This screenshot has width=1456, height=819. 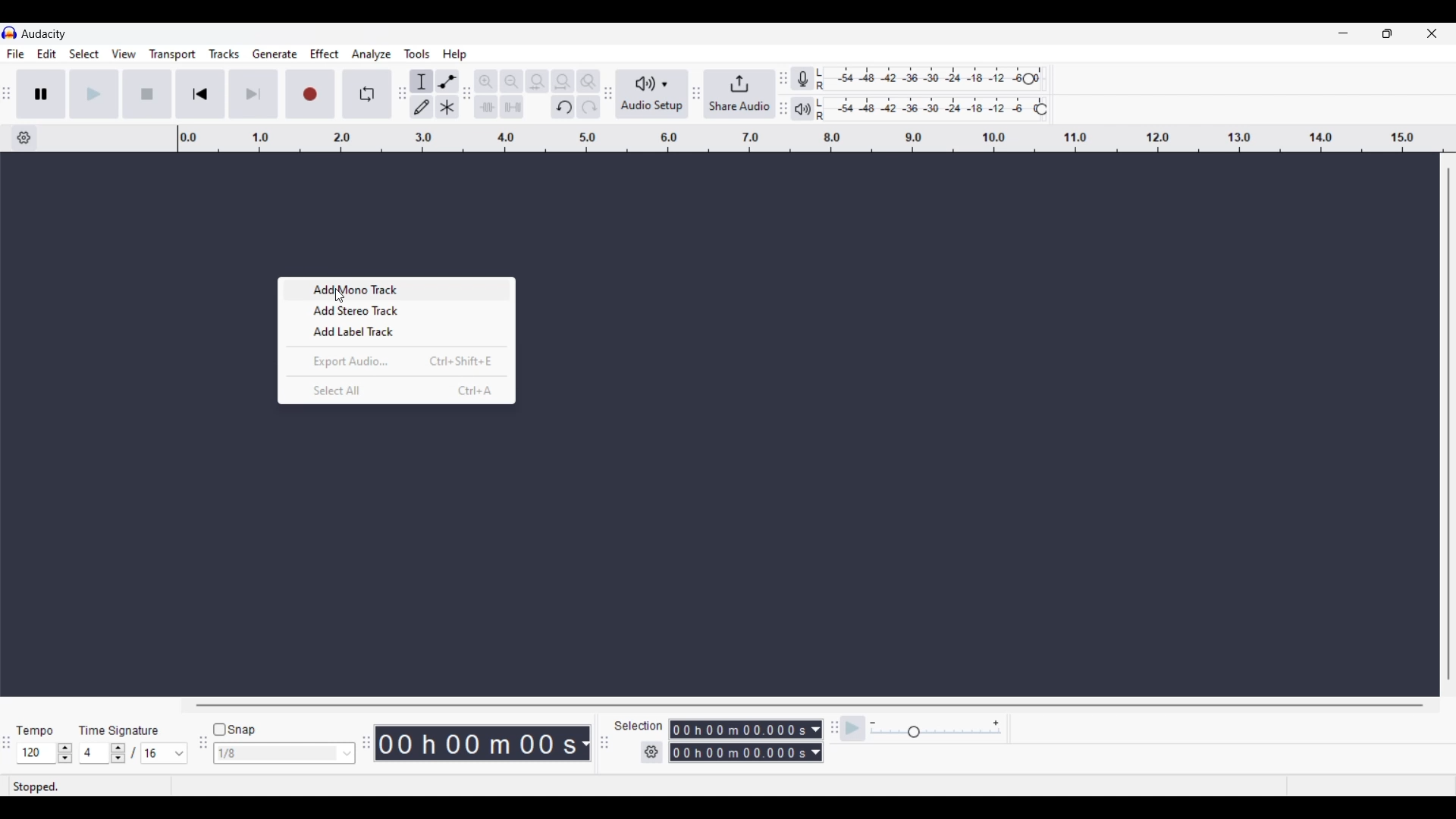 I want to click on Fit project to width, so click(x=563, y=81).